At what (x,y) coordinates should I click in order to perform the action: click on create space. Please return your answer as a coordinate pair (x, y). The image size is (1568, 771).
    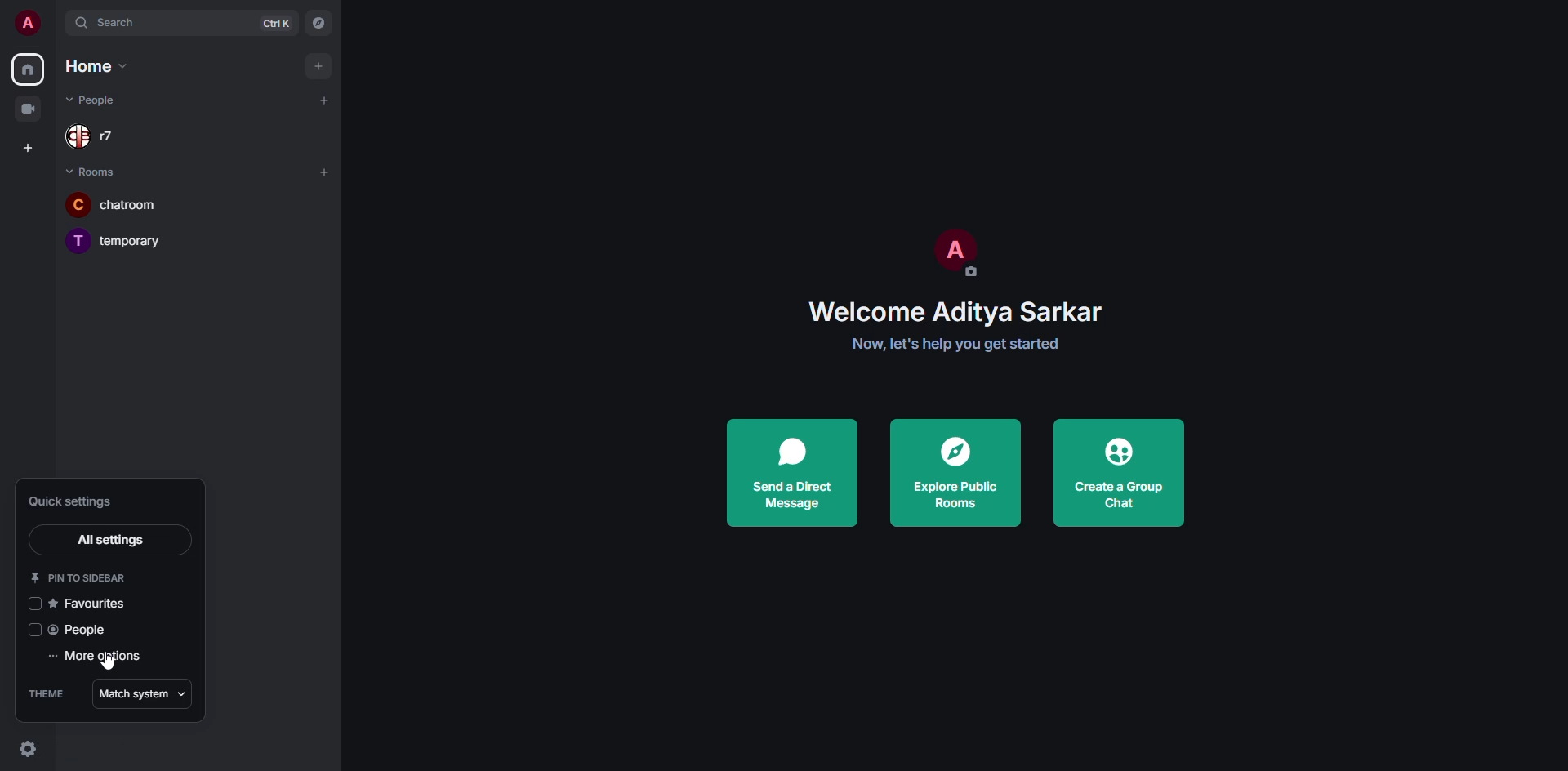
    Looking at the image, I should click on (24, 146).